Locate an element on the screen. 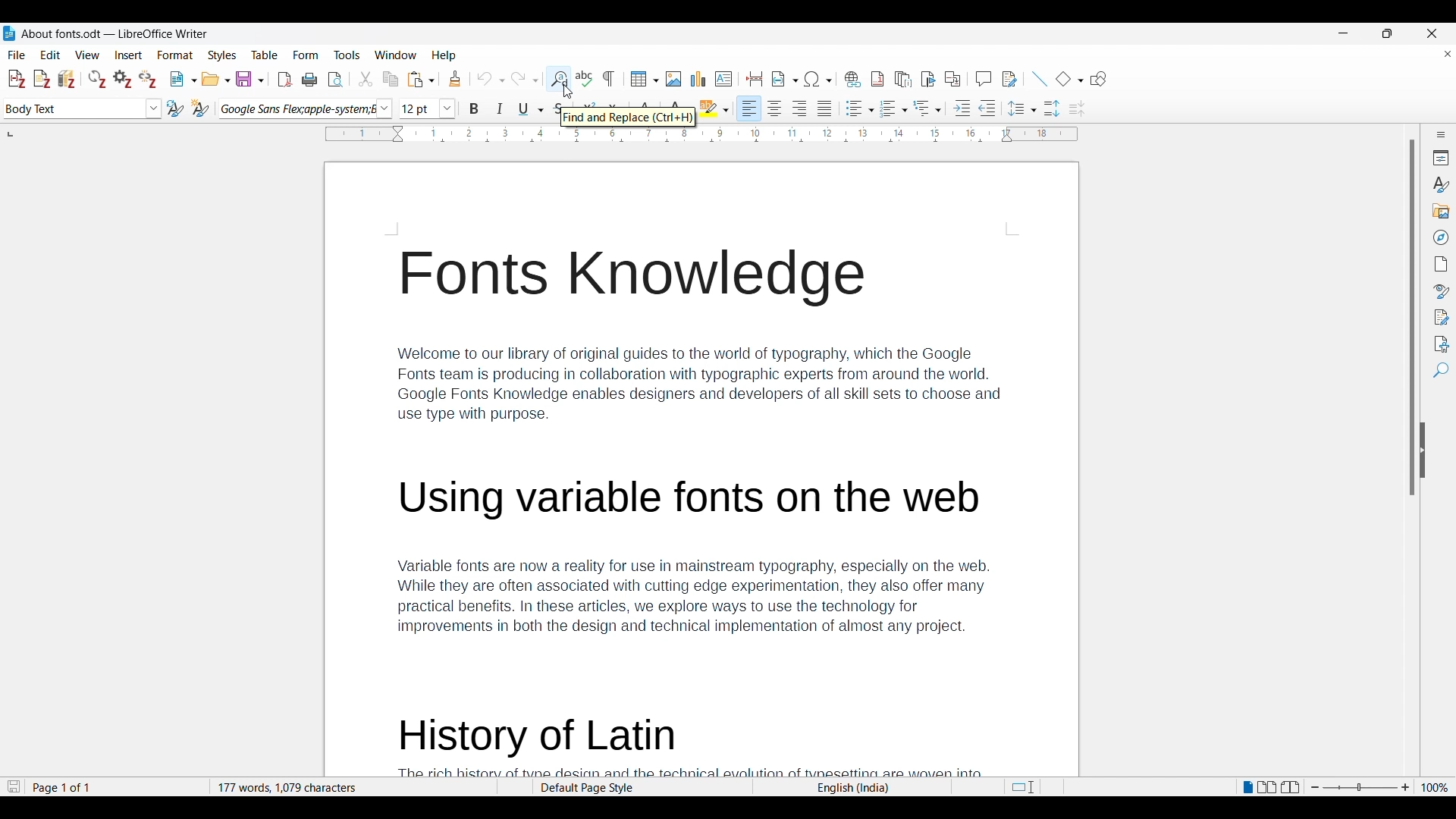  Undo is located at coordinates (491, 79).